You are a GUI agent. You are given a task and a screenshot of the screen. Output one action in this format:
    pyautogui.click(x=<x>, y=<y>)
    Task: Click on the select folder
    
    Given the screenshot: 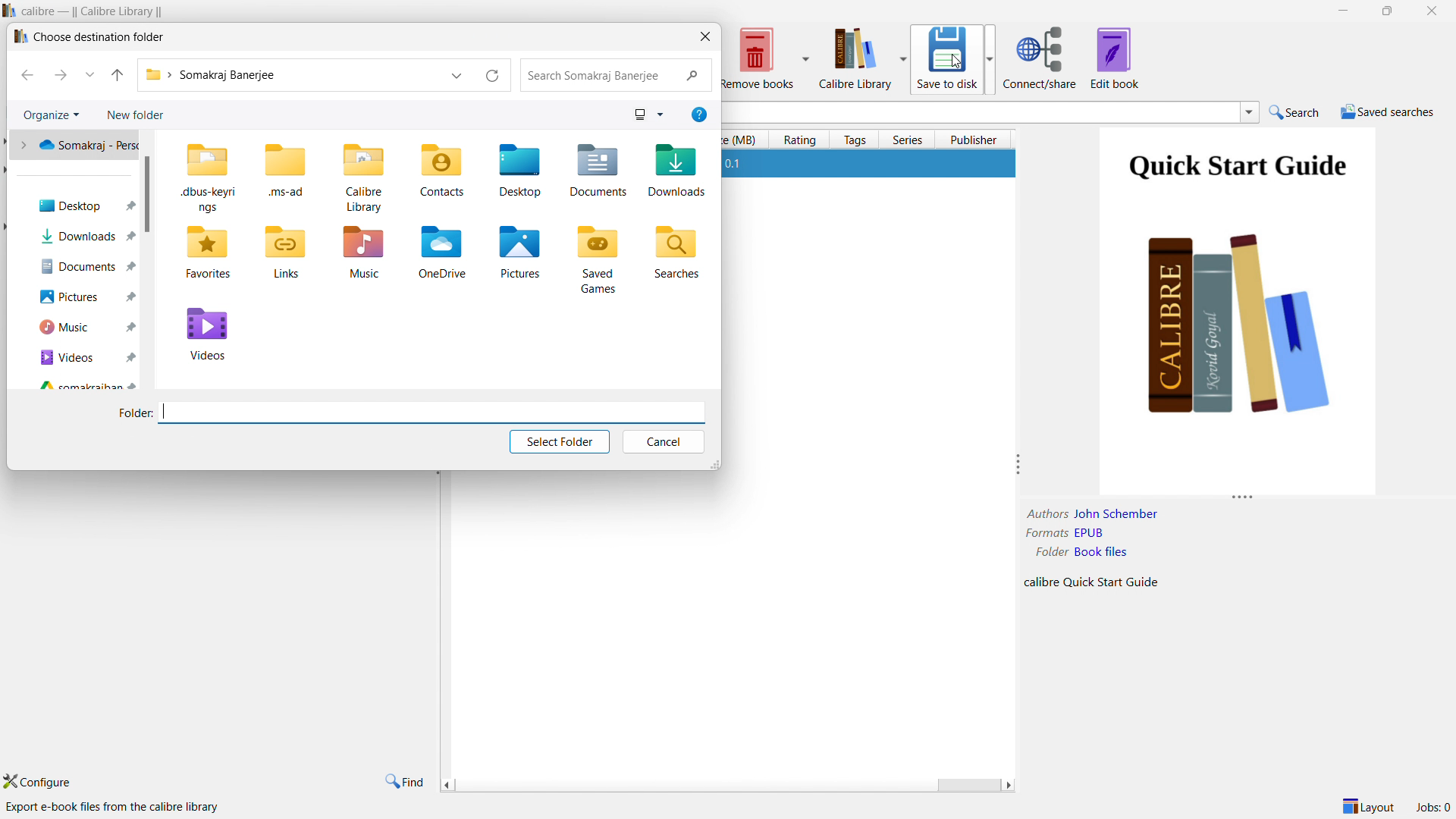 What is the action you would take?
    pyautogui.click(x=560, y=441)
    